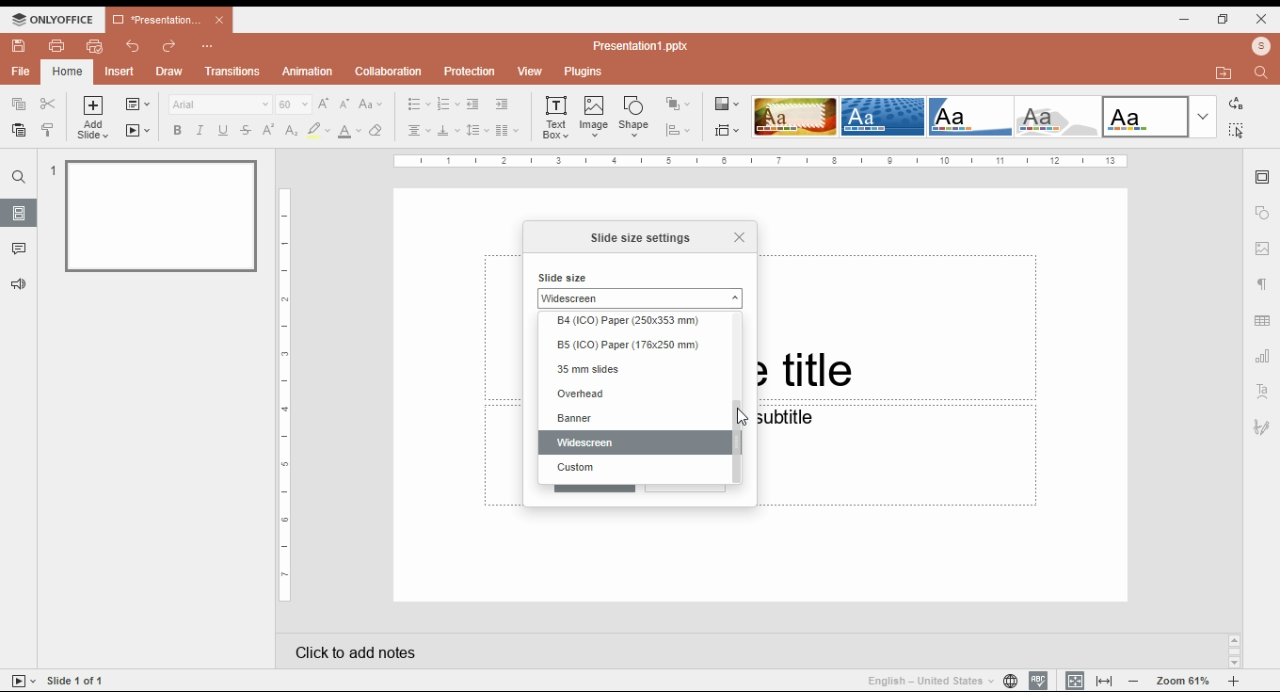  What do you see at coordinates (1227, 74) in the screenshot?
I see `open file location` at bounding box center [1227, 74].